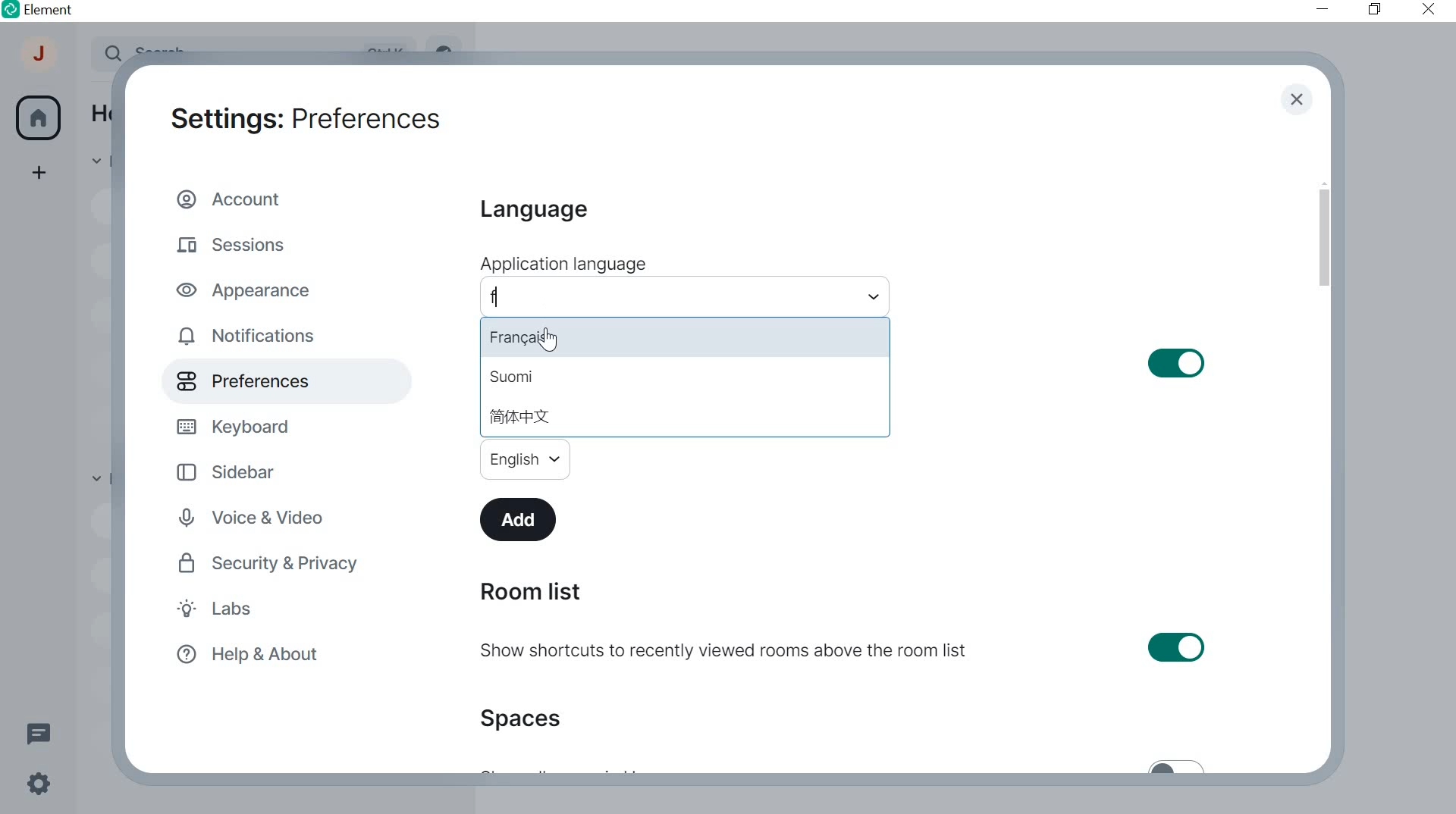 The width and height of the screenshot is (1456, 814). Describe the element at coordinates (40, 58) in the screenshot. I see `ACCOUNT` at that location.